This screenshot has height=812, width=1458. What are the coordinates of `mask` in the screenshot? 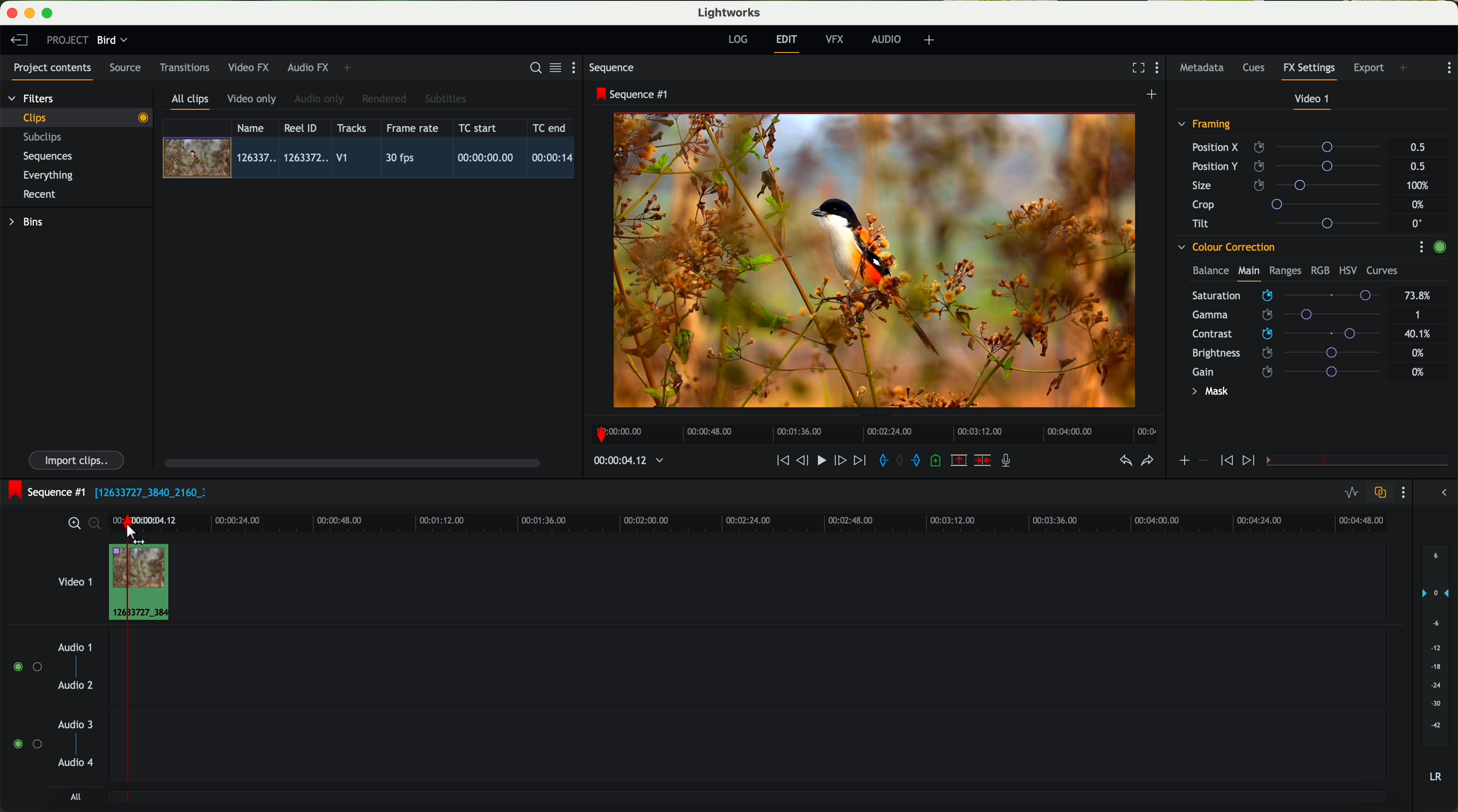 It's located at (1208, 393).